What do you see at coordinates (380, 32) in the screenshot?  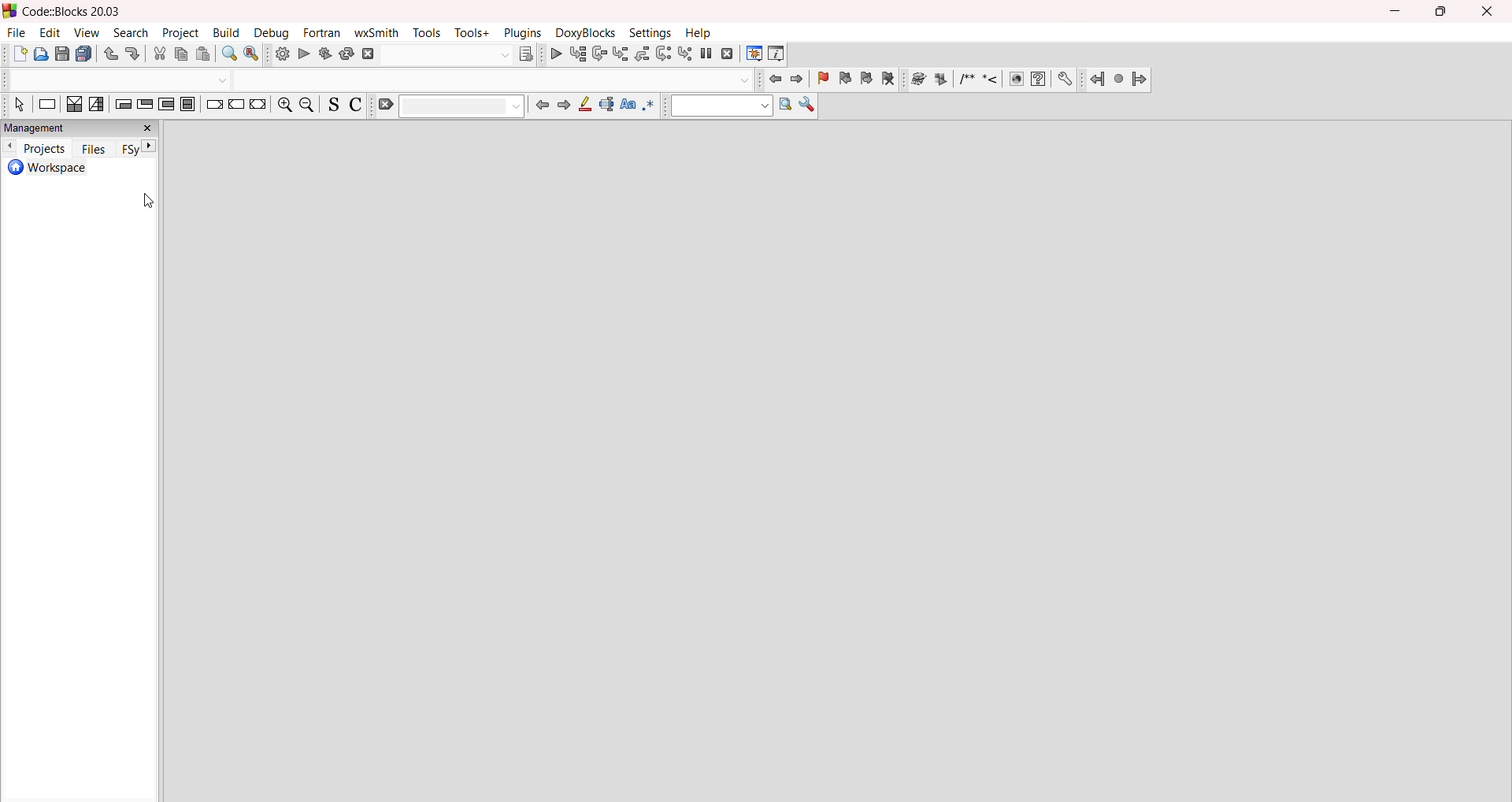 I see `wxSmith` at bounding box center [380, 32].